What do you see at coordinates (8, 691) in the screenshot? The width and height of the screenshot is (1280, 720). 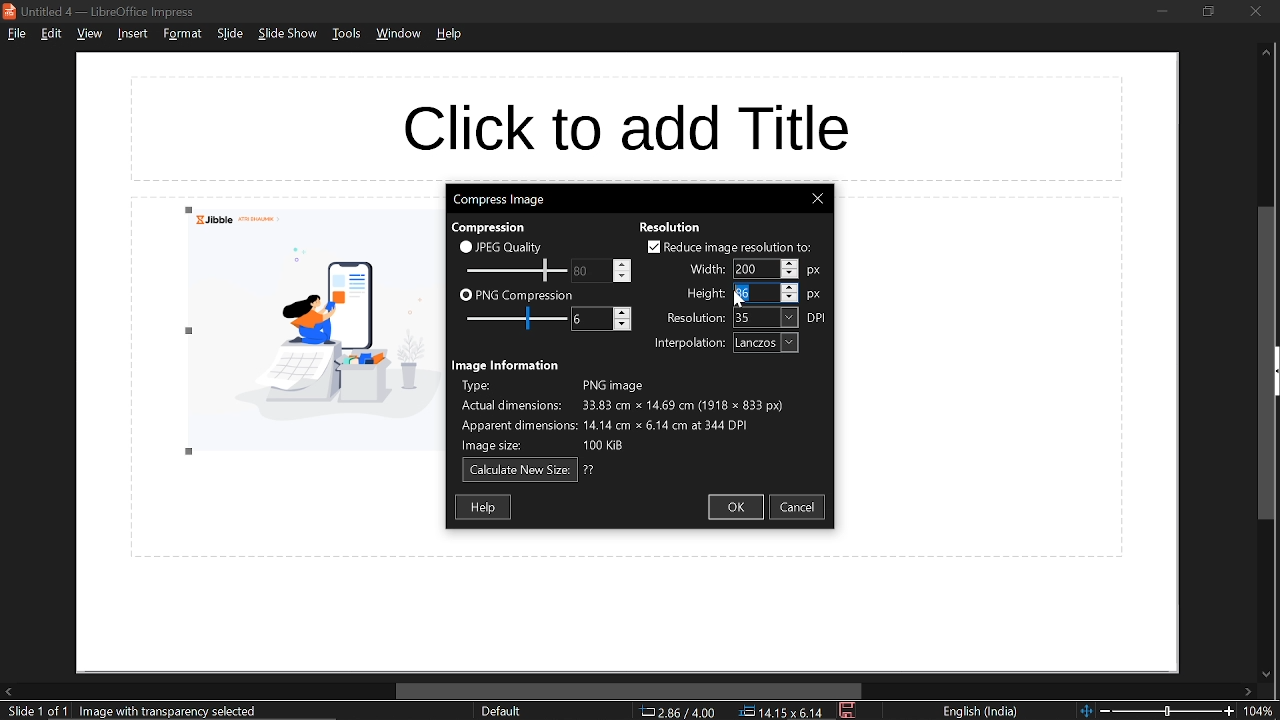 I see `move left` at bounding box center [8, 691].